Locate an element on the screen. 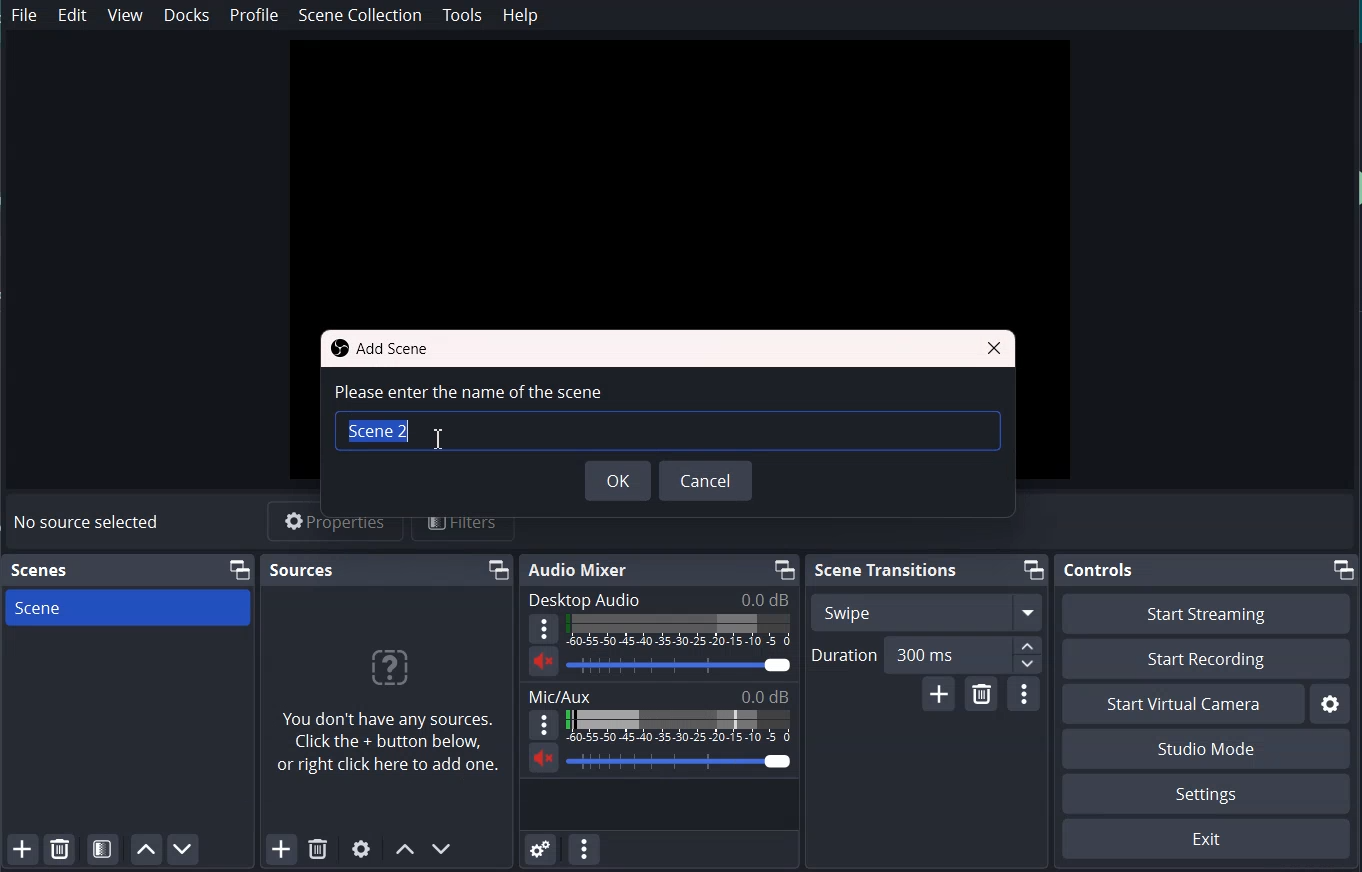  Docks is located at coordinates (187, 15).